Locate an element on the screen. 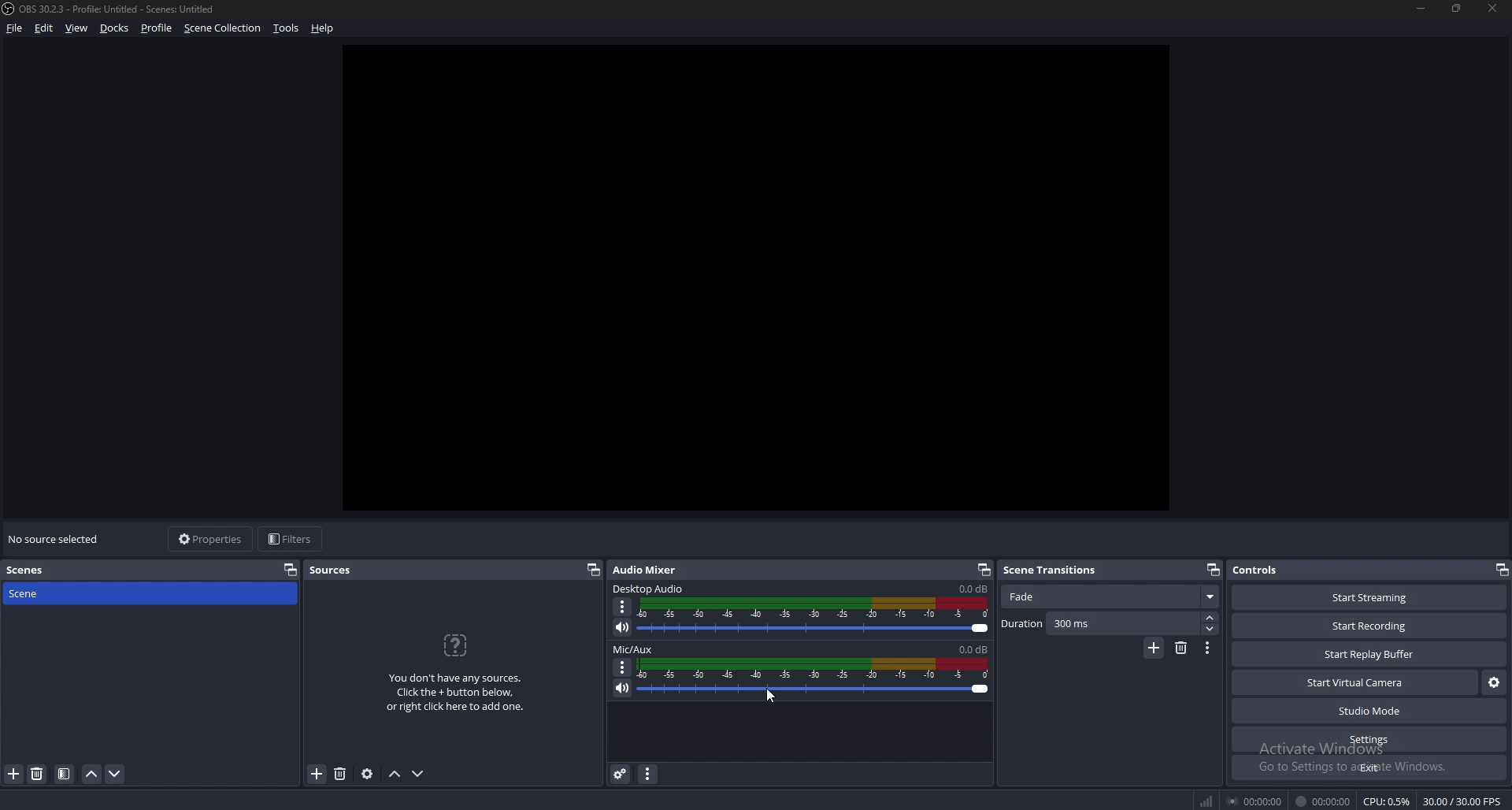 The width and height of the screenshot is (1512, 810). audio mixer menu is located at coordinates (647, 775).